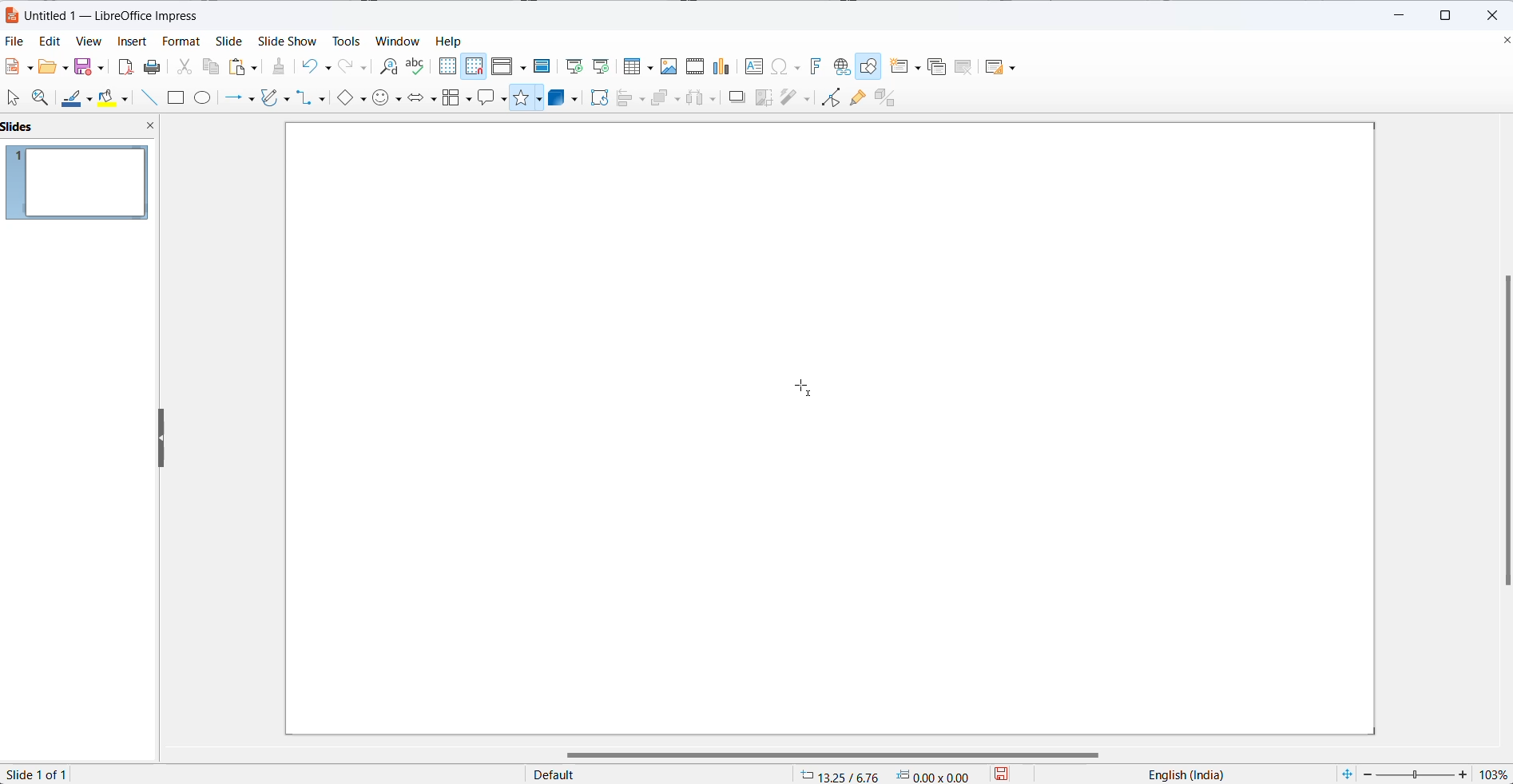 Image resolution: width=1513 pixels, height=784 pixels. I want to click on help, so click(455, 41).